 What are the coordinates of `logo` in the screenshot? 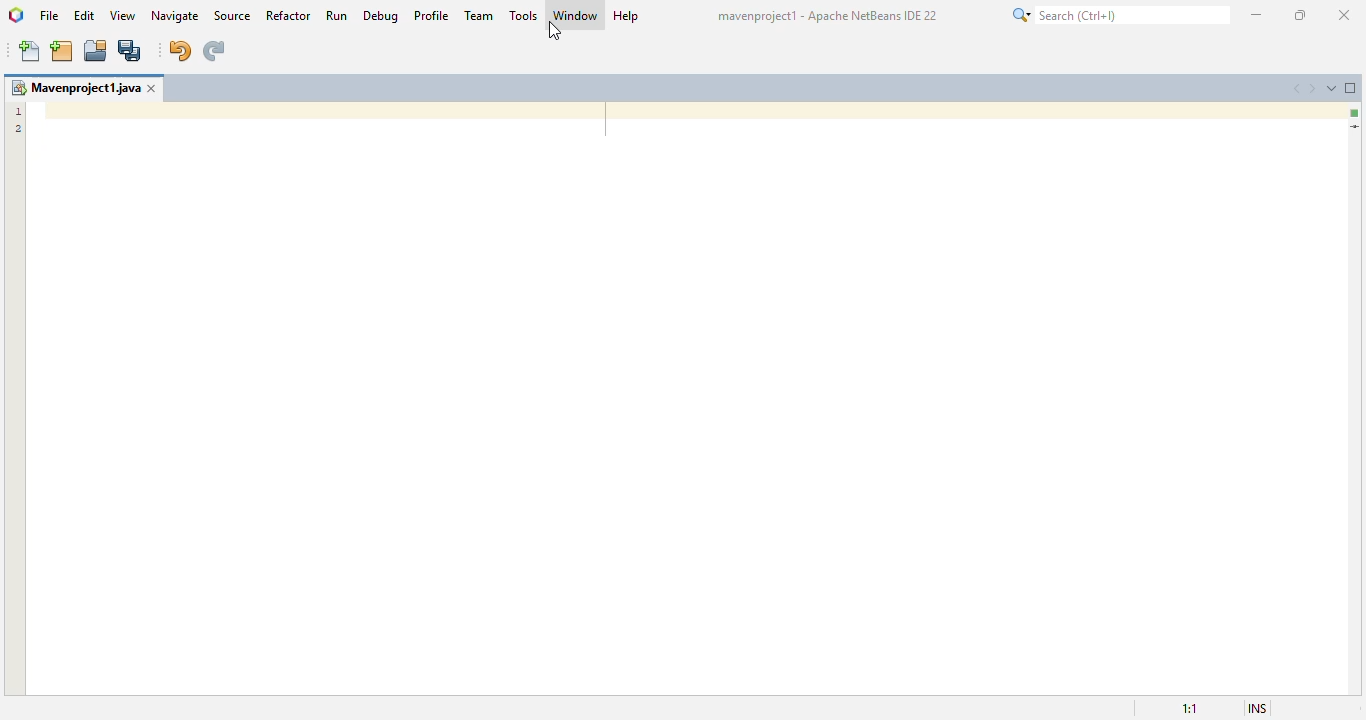 It's located at (16, 15).